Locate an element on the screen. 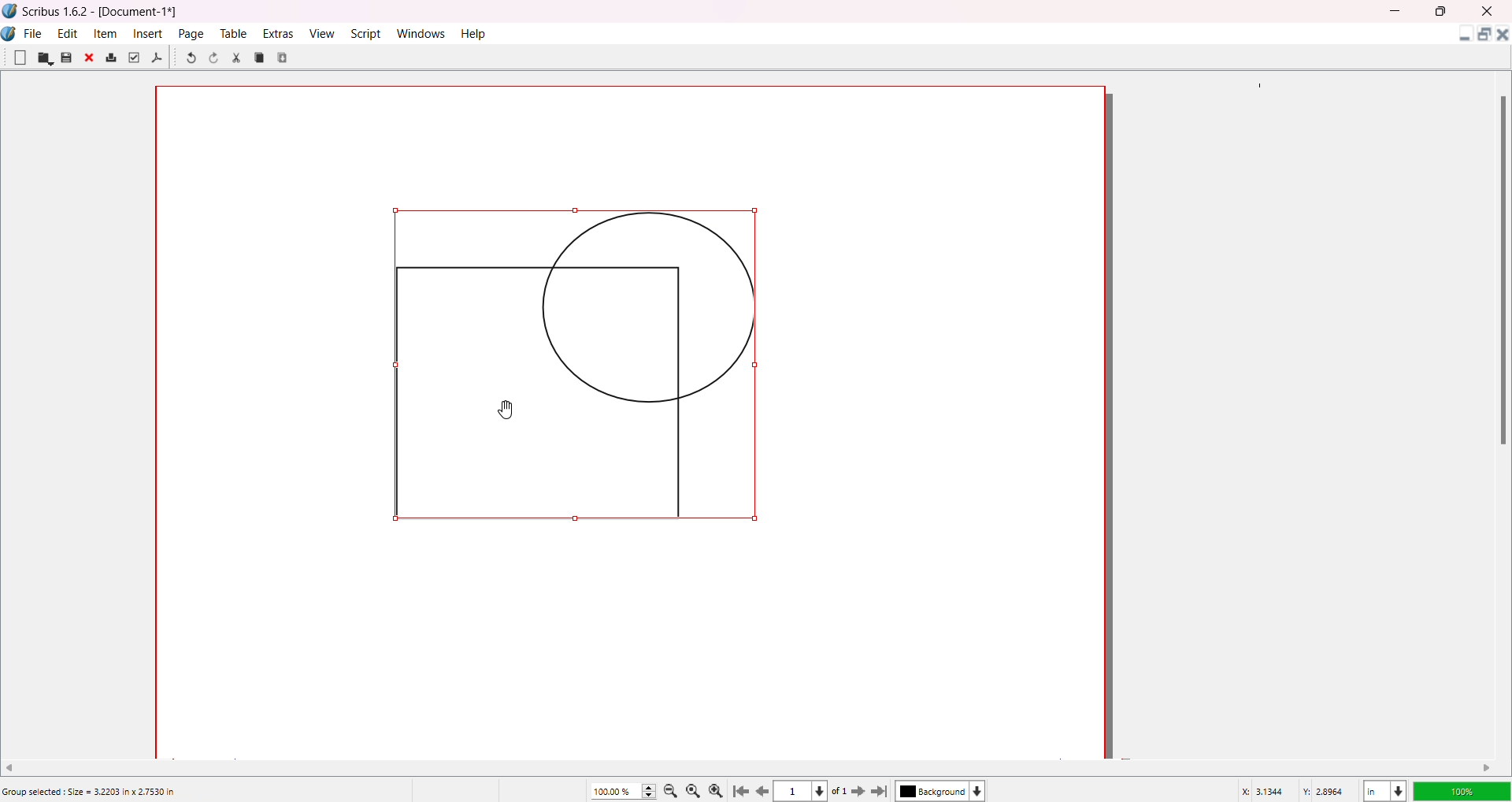 Image resolution: width=1512 pixels, height=802 pixels. Last is located at coordinates (881, 790).